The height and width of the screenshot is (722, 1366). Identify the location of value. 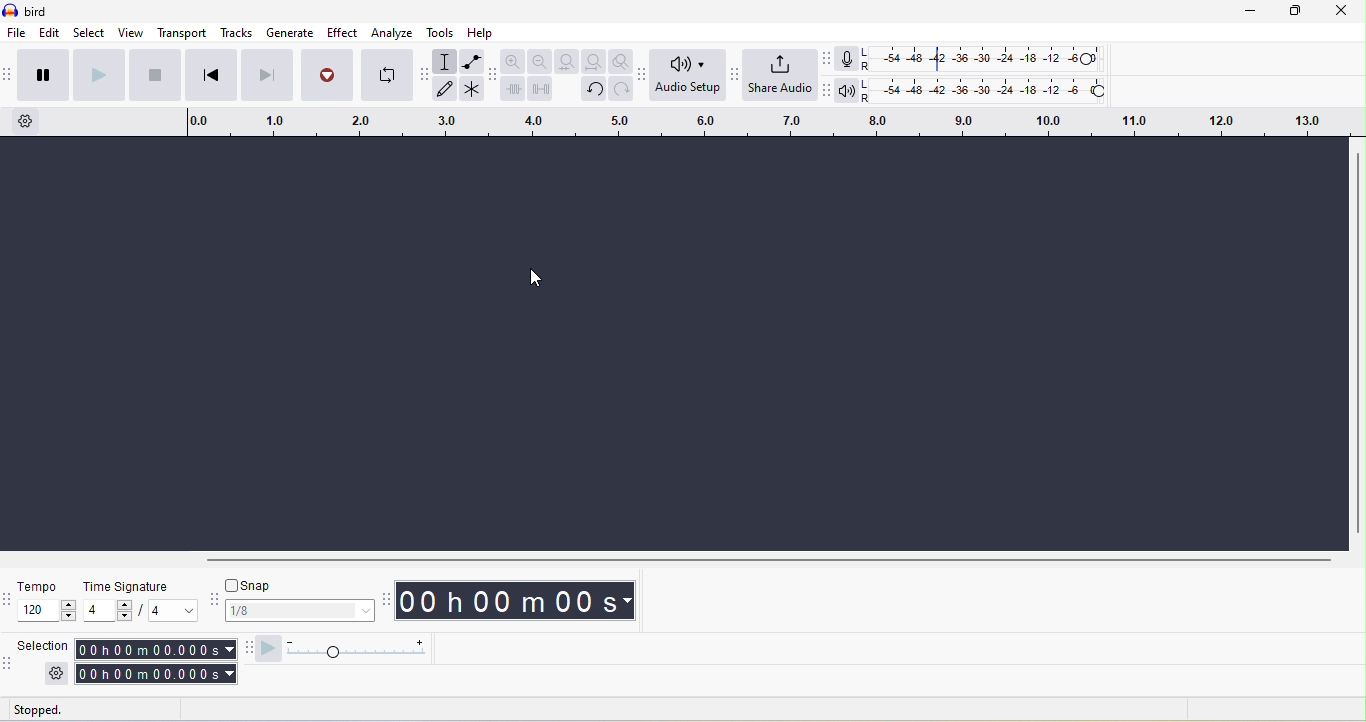
(168, 610).